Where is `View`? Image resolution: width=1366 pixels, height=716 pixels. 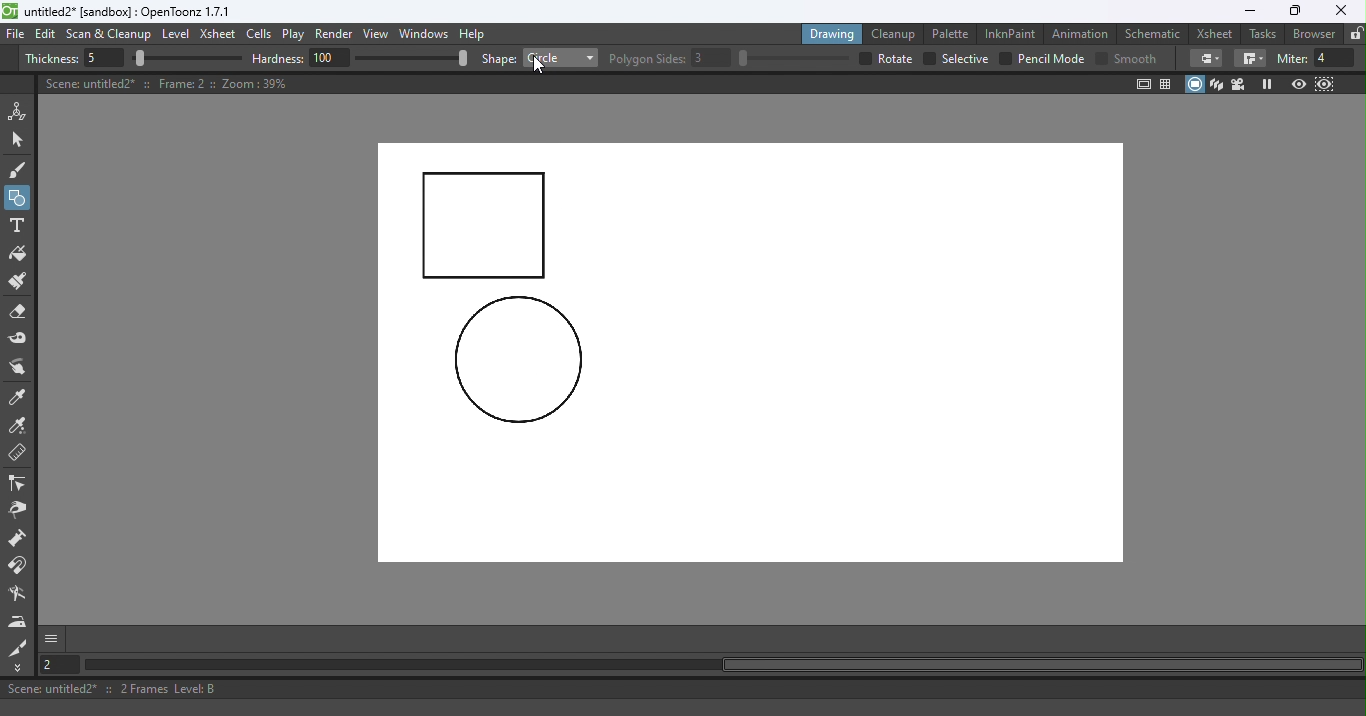
View is located at coordinates (379, 36).